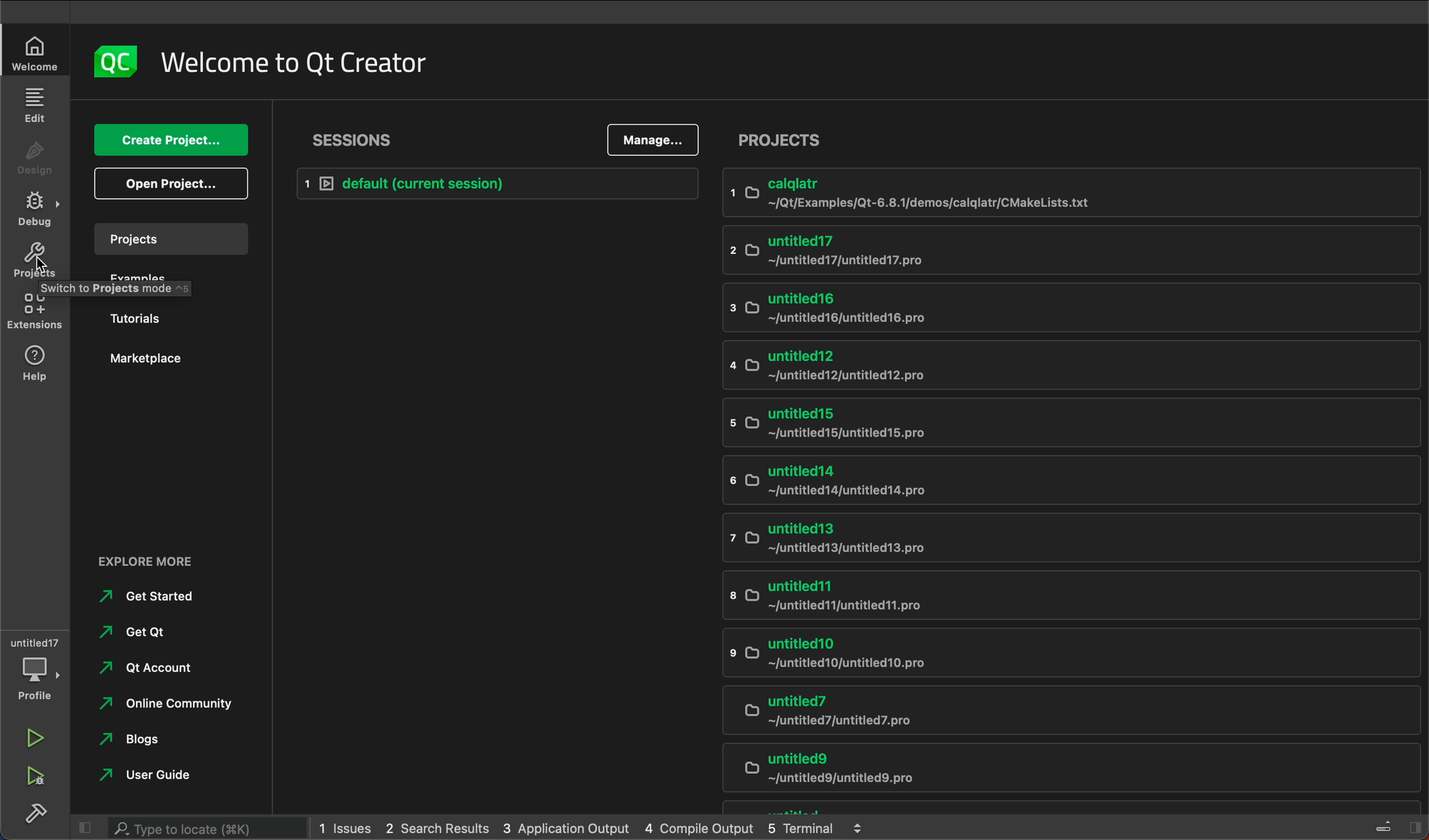 The width and height of the screenshot is (1429, 840). What do you see at coordinates (161, 320) in the screenshot?
I see `tutorials` at bounding box center [161, 320].